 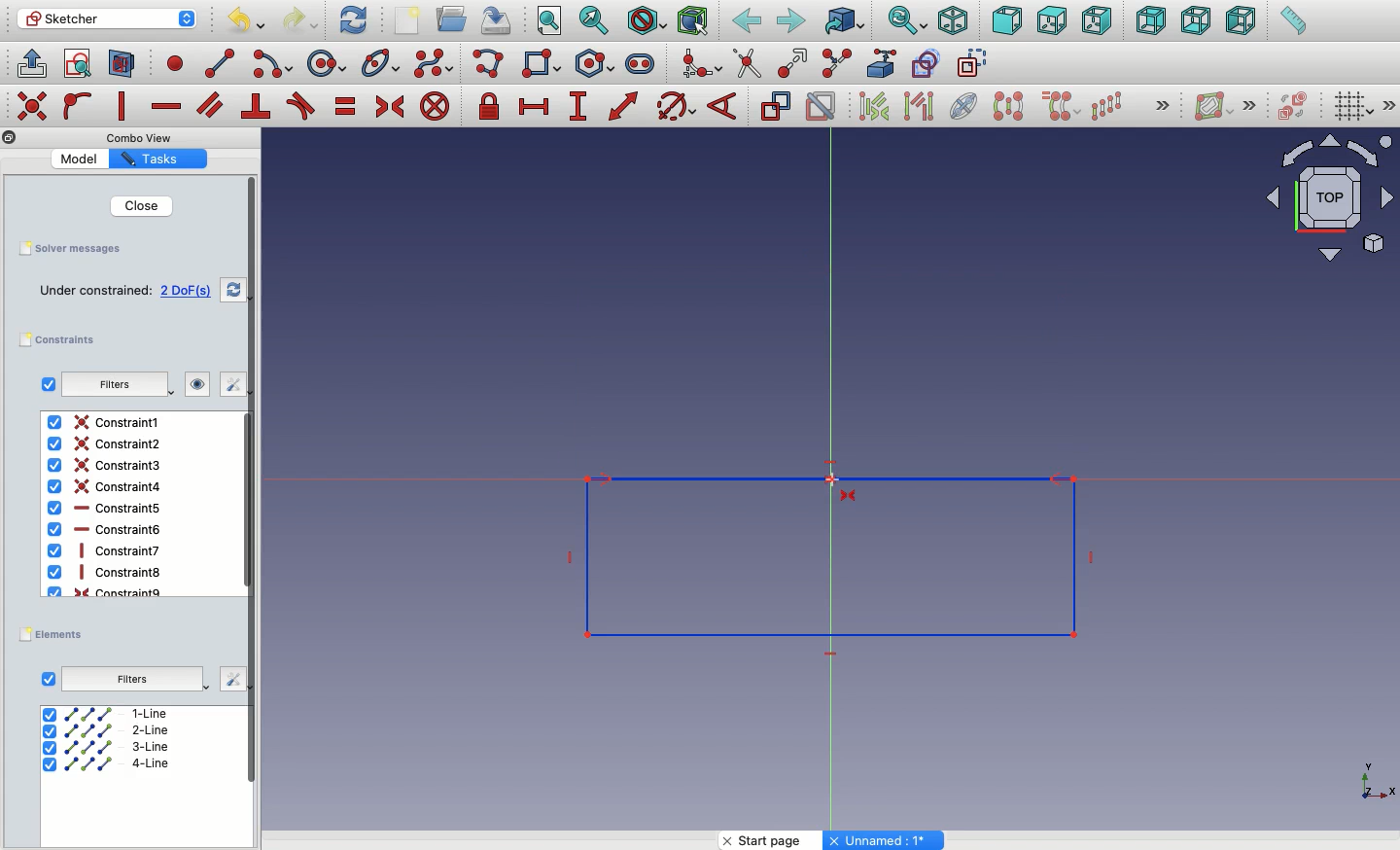 What do you see at coordinates (1289, 108) in the screenshot?
I see `Switch virtual place` at bounding box center [1289, 108].